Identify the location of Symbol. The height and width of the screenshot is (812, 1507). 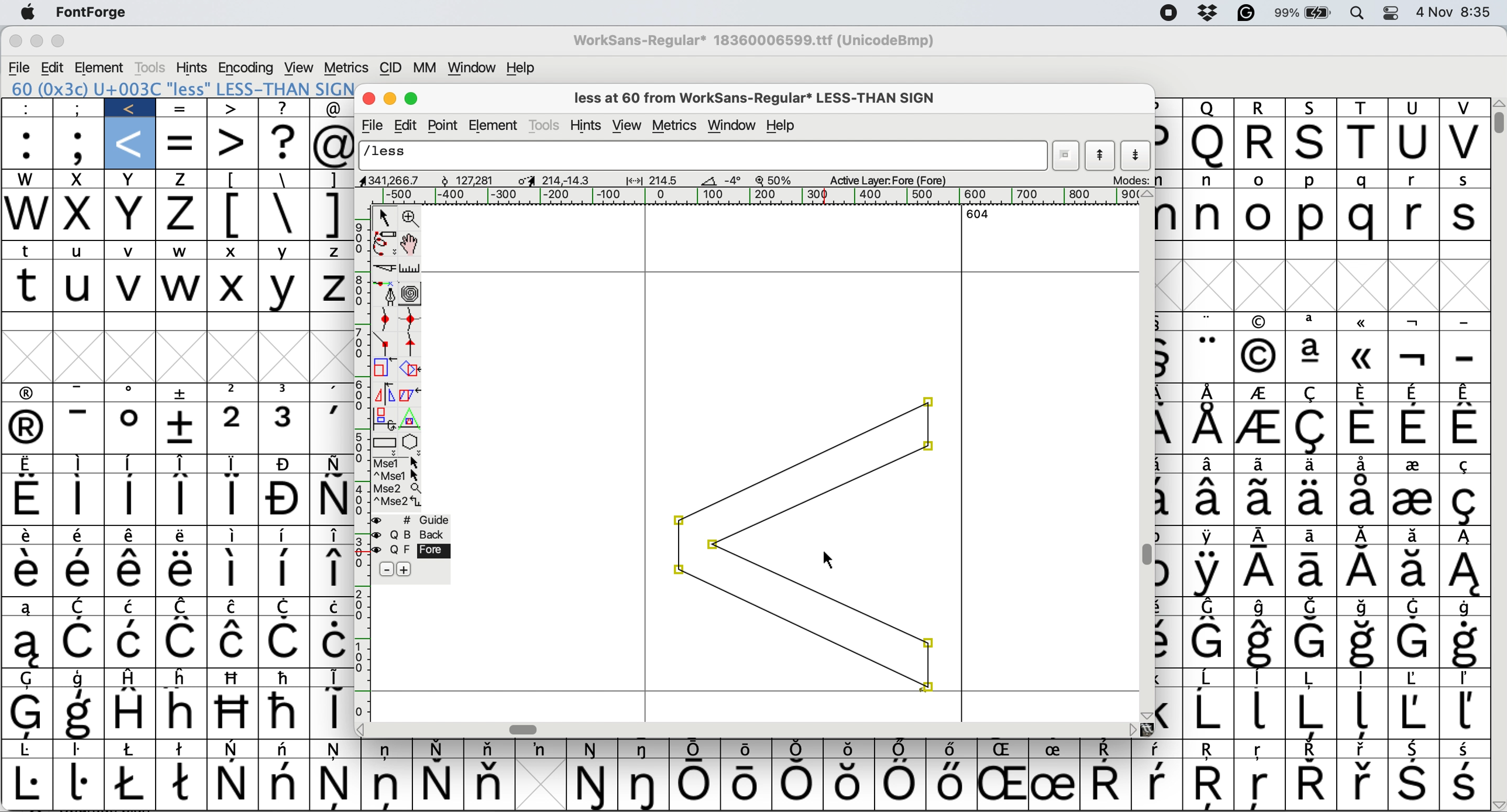
(131, 572).